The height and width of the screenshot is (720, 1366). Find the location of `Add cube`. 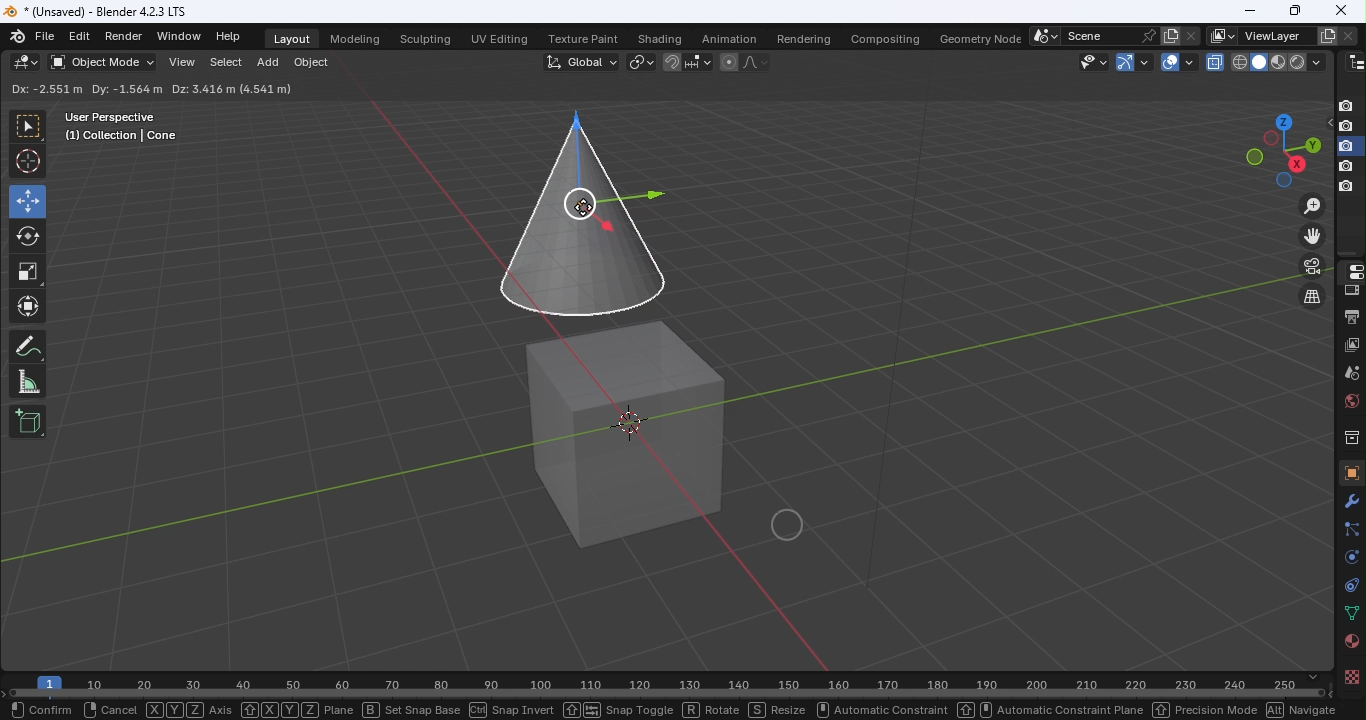

Add cube is located at coordinates (28, 420).